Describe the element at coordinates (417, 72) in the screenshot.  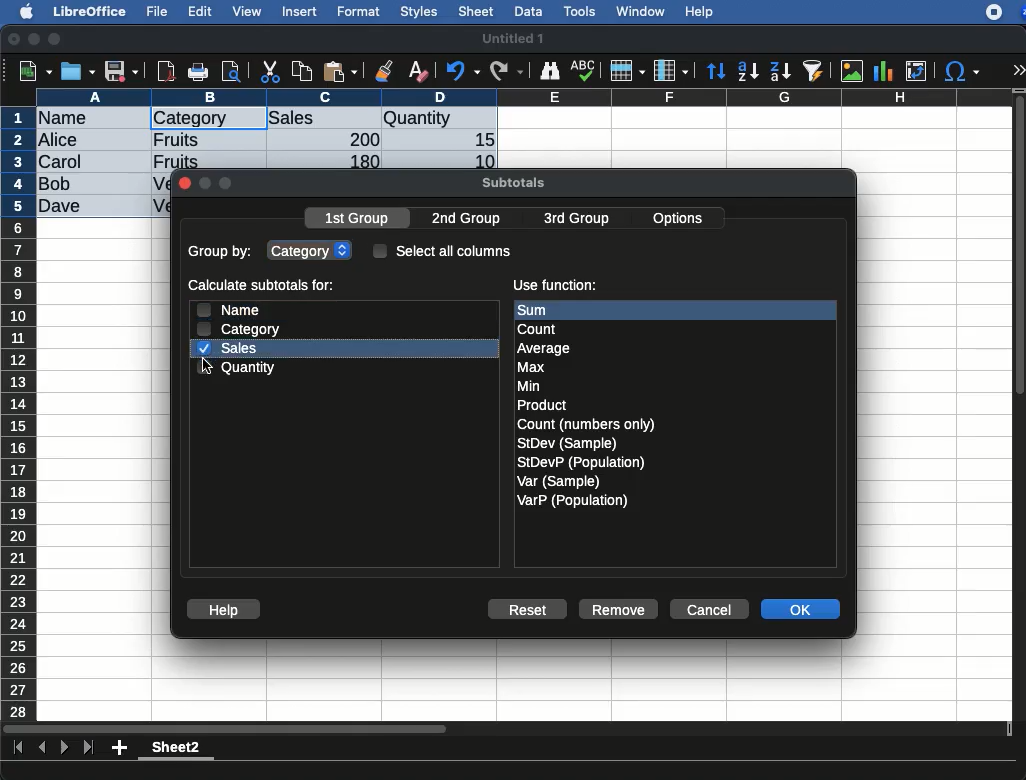
I see `clear formatting` at that location.